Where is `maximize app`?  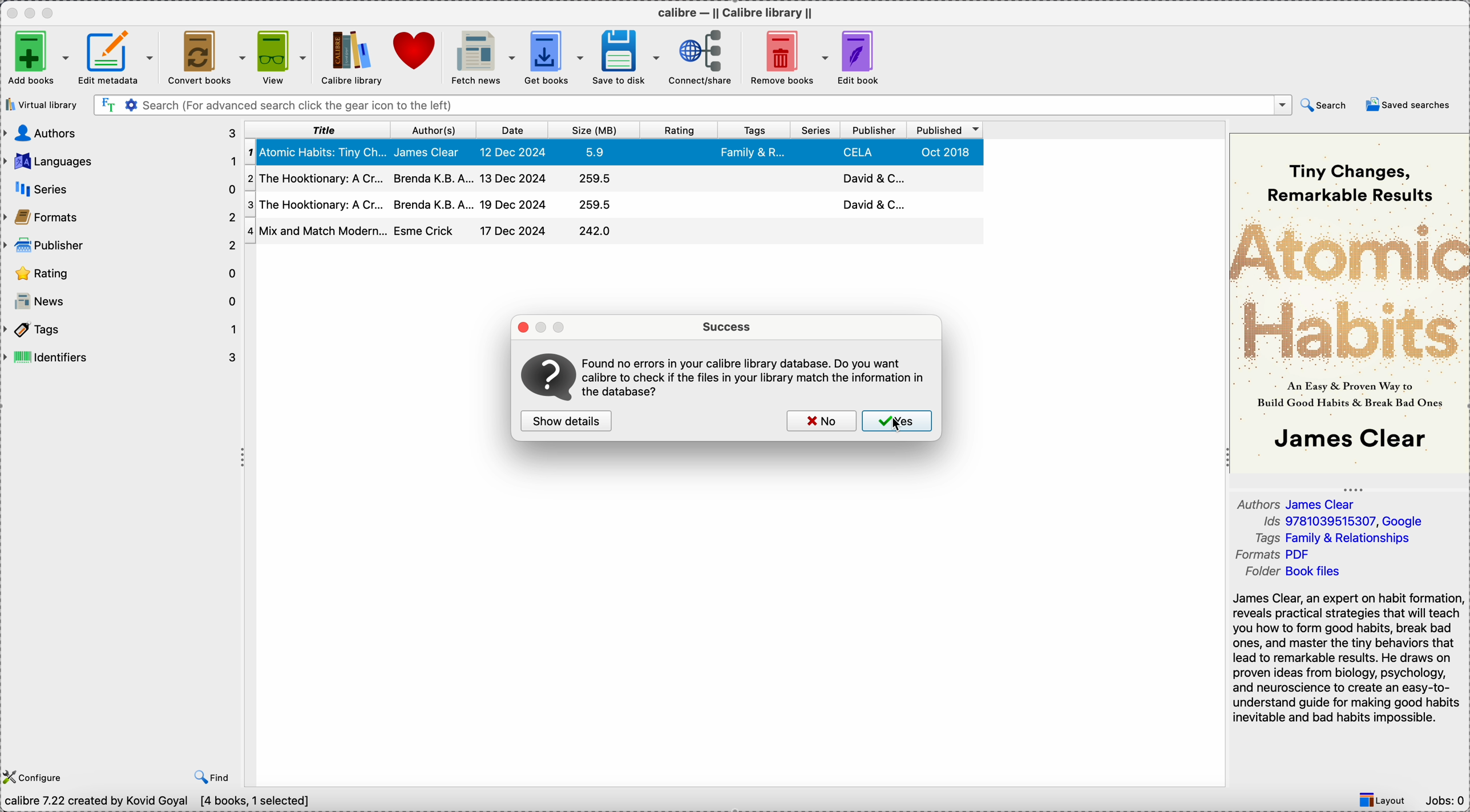 maximize app is located at coordinates (52, 10).